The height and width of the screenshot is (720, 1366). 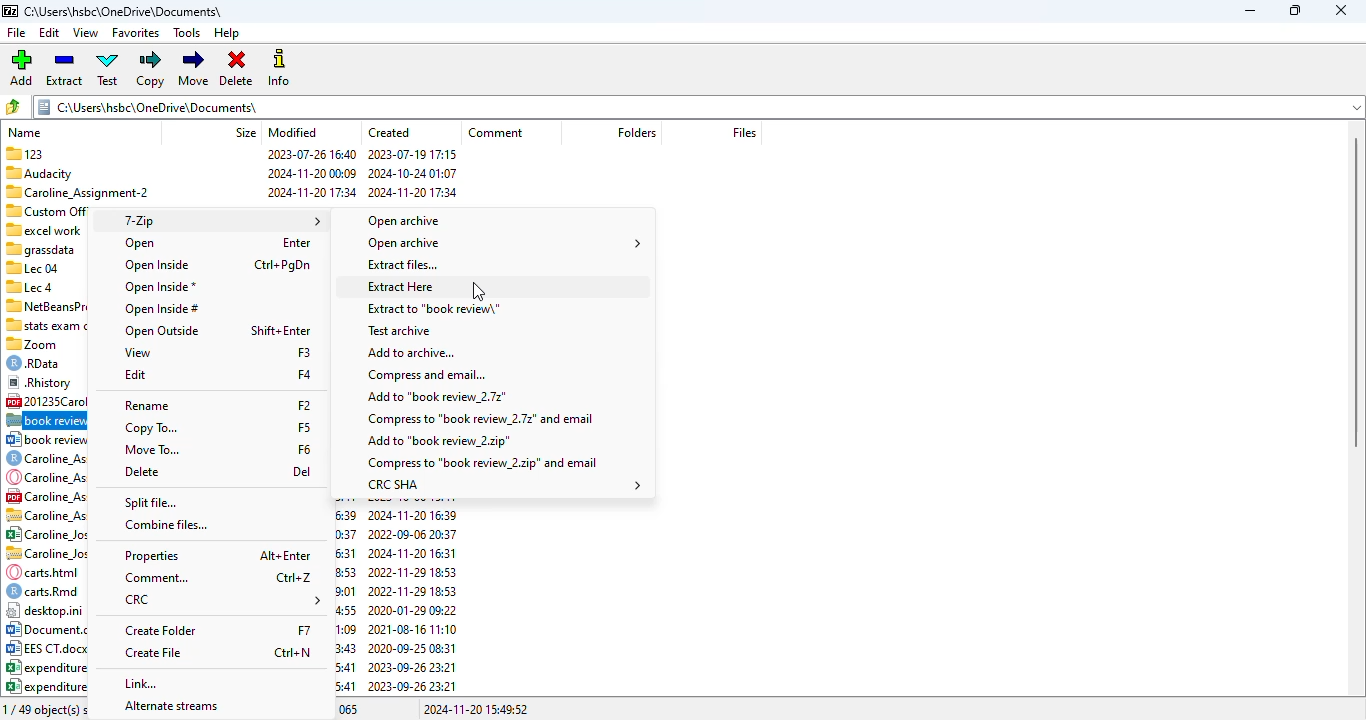 I want to click on ® Rhistory, so click(x=40, y=381).